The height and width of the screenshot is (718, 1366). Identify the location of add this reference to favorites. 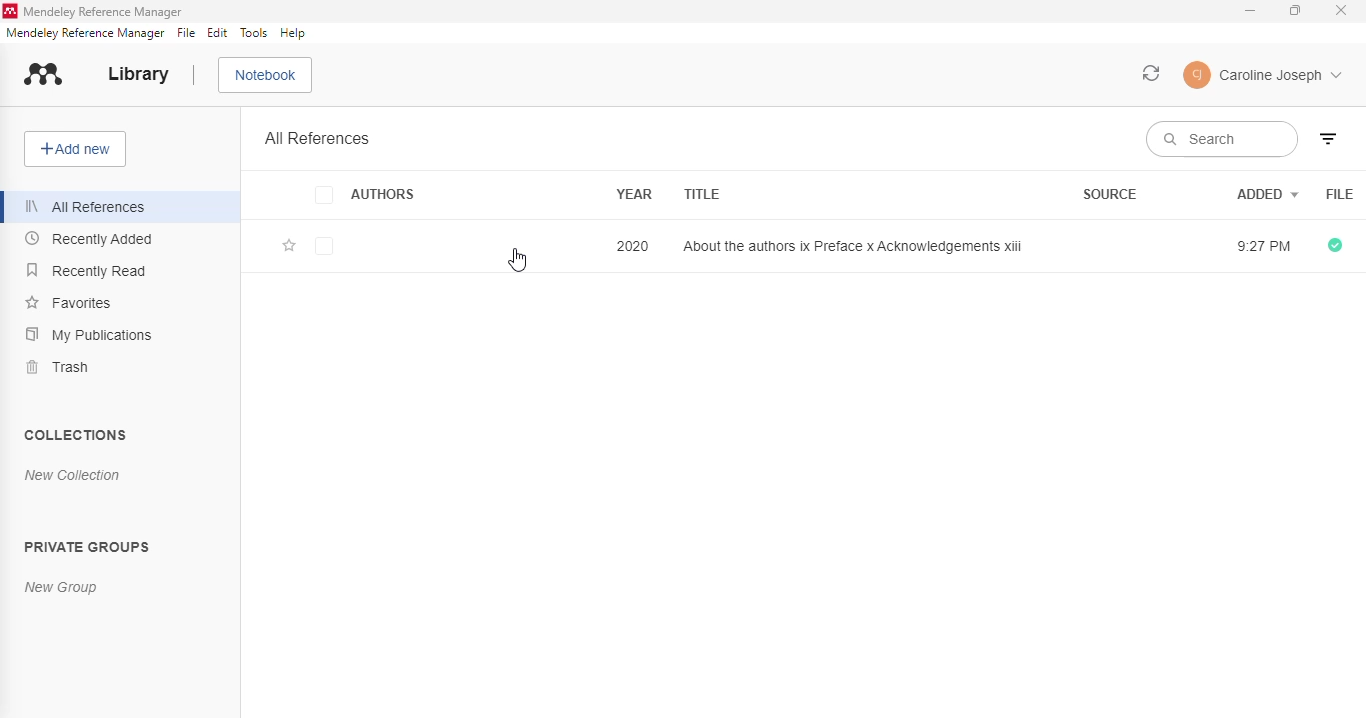
(289, 246).